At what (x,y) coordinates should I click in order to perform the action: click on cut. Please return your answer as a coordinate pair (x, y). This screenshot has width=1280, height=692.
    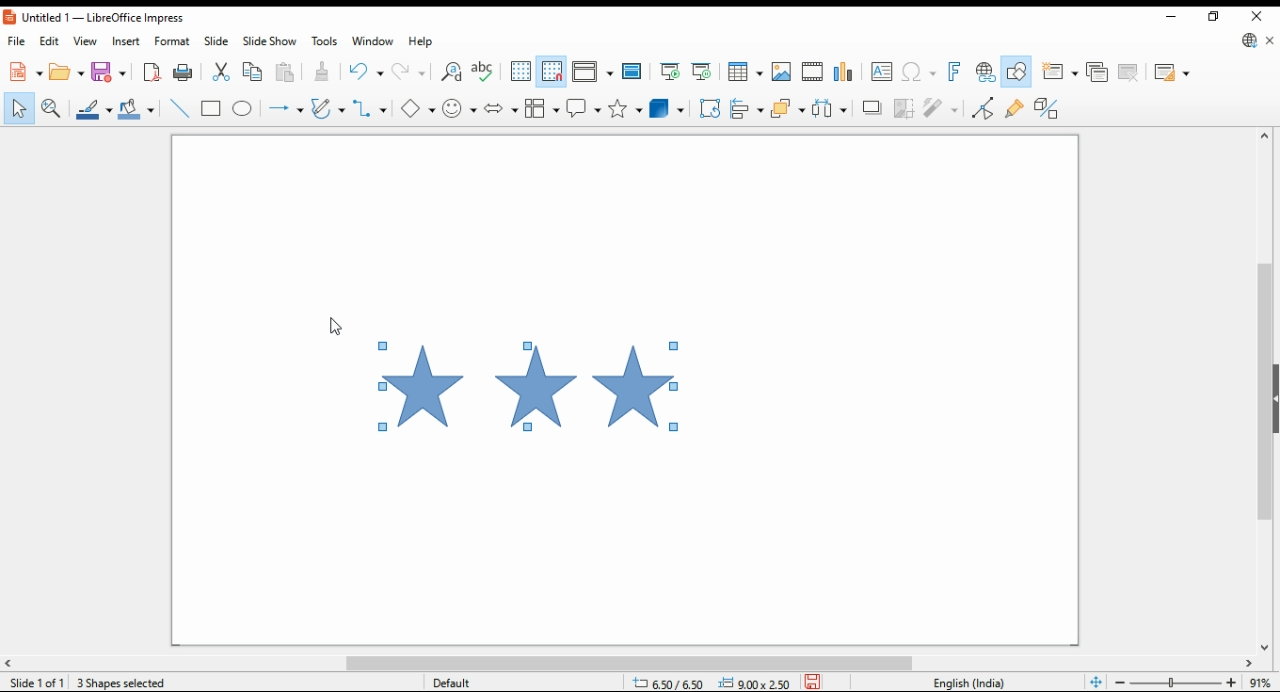
    Looking at the image, I should click on (224, 71).